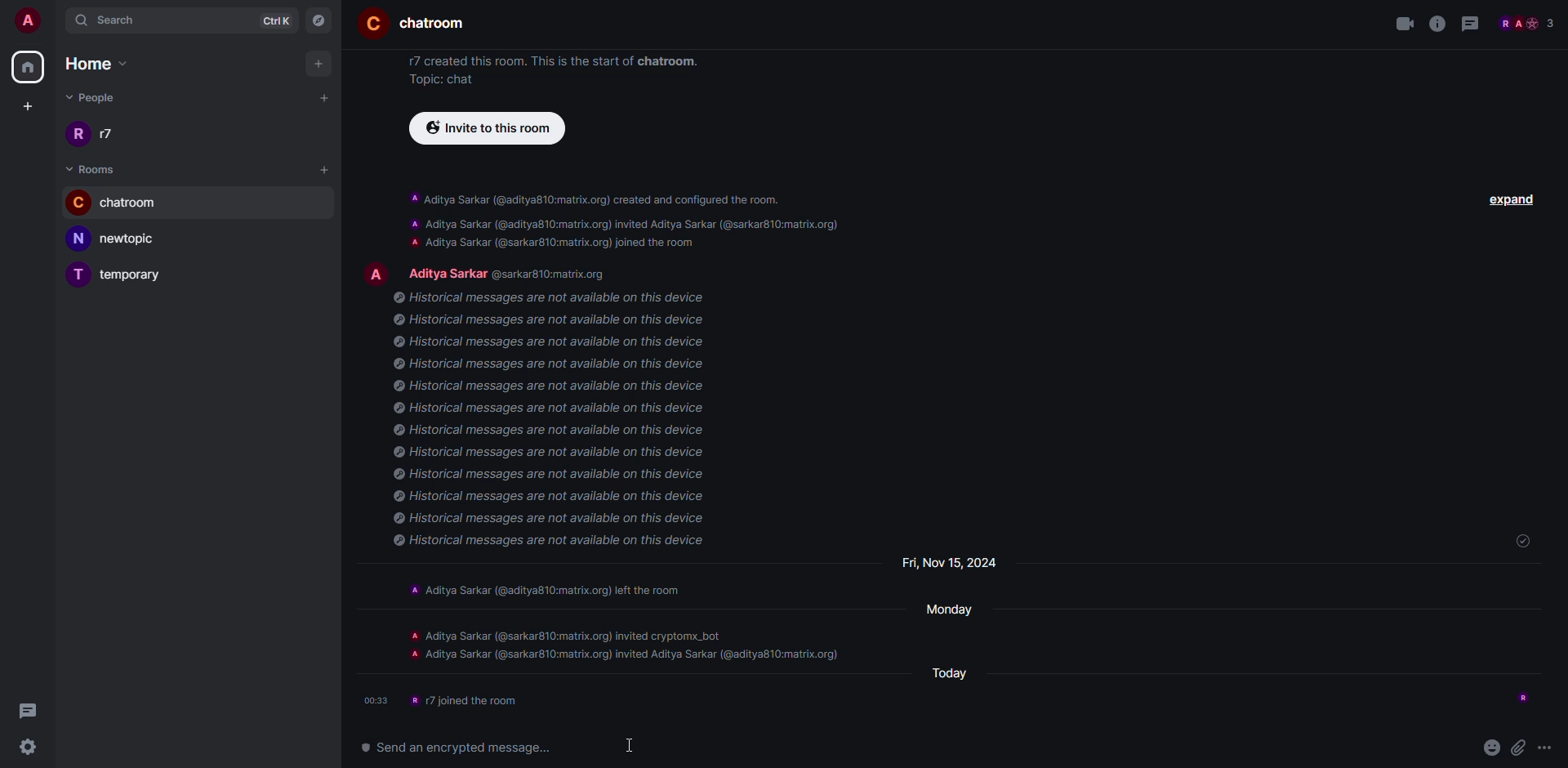 The image size is (1568, 768). Describe the element at coordinates (96, 167) in the screenshot. I see `room` at that location.